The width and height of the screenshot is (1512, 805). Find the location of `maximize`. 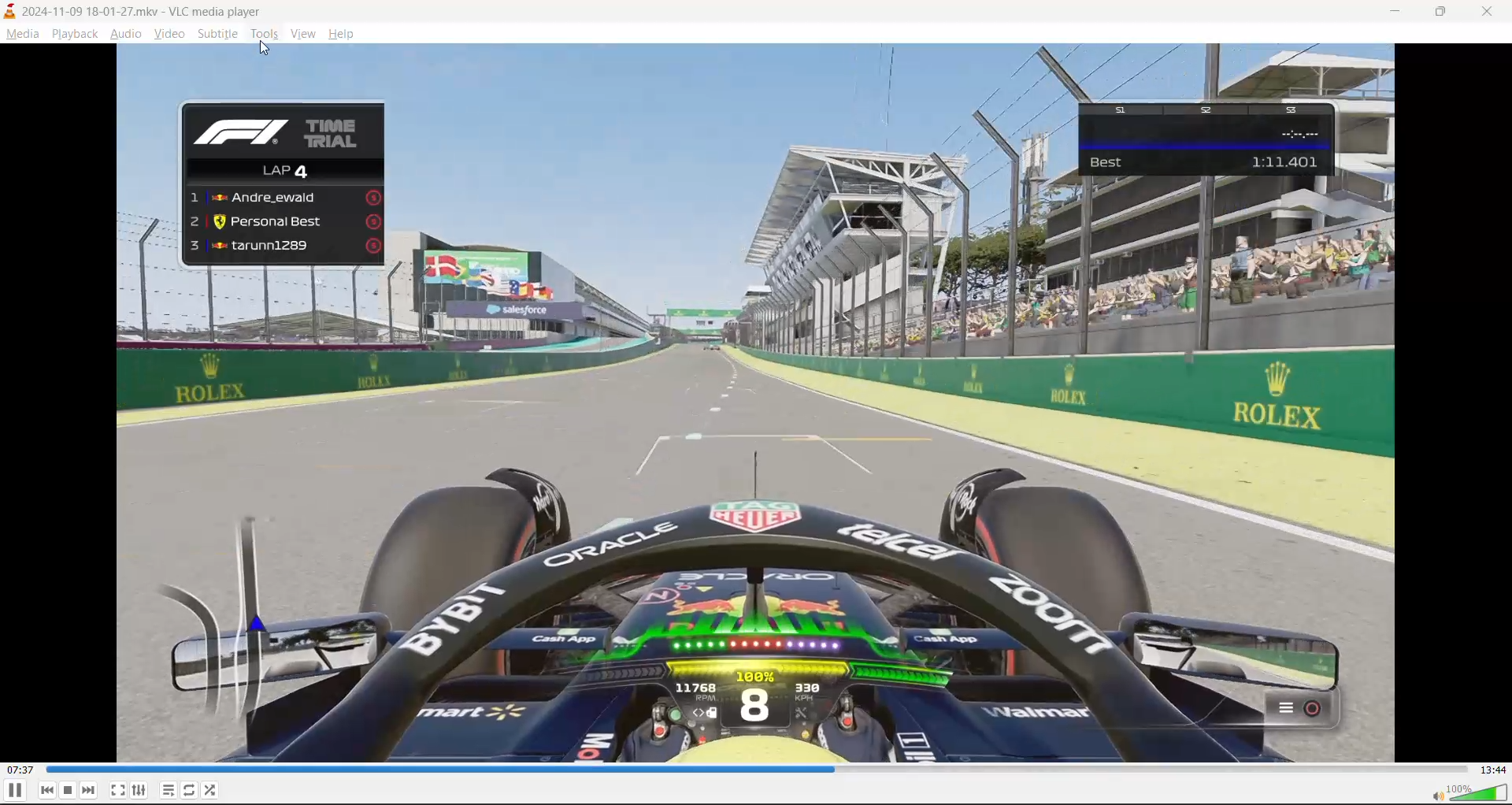

maximize is located at coordinates (1444, 14).